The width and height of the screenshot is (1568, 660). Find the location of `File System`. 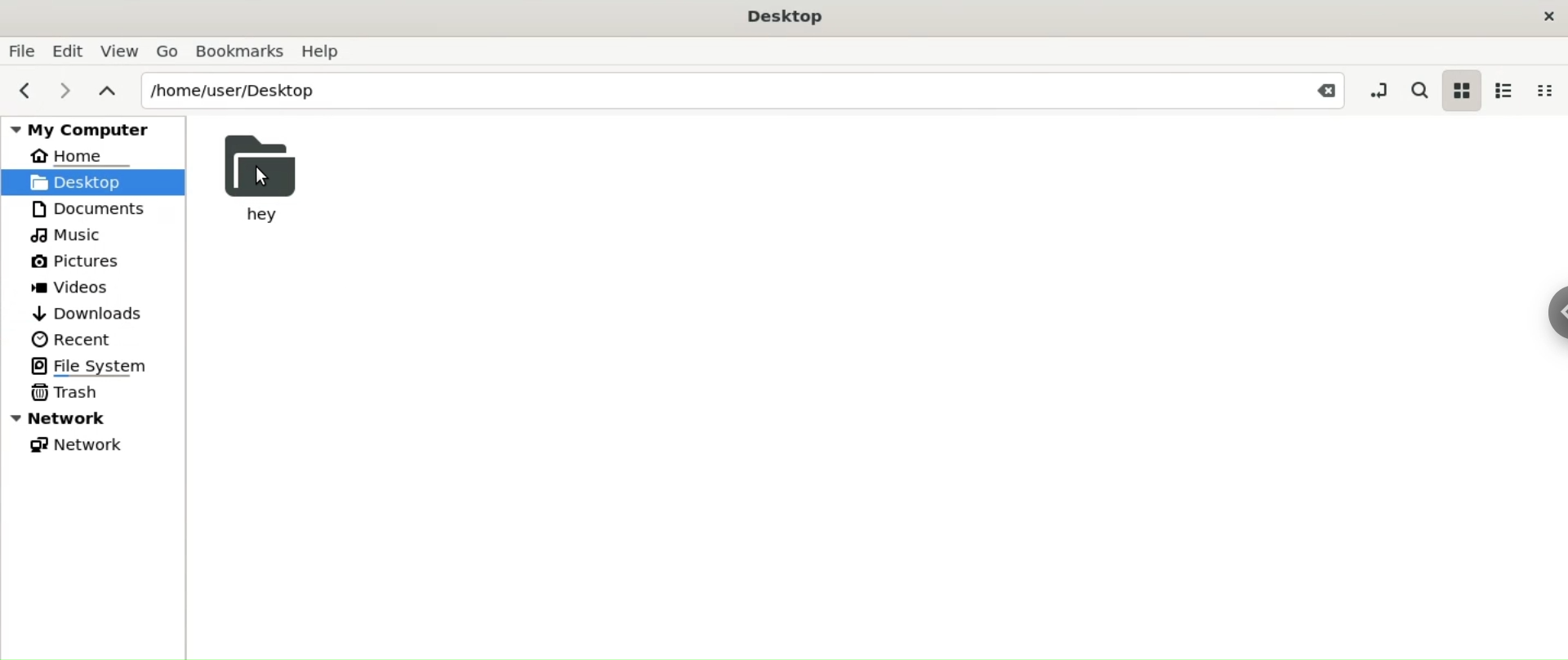

File System is located at coordinates (100, 364).